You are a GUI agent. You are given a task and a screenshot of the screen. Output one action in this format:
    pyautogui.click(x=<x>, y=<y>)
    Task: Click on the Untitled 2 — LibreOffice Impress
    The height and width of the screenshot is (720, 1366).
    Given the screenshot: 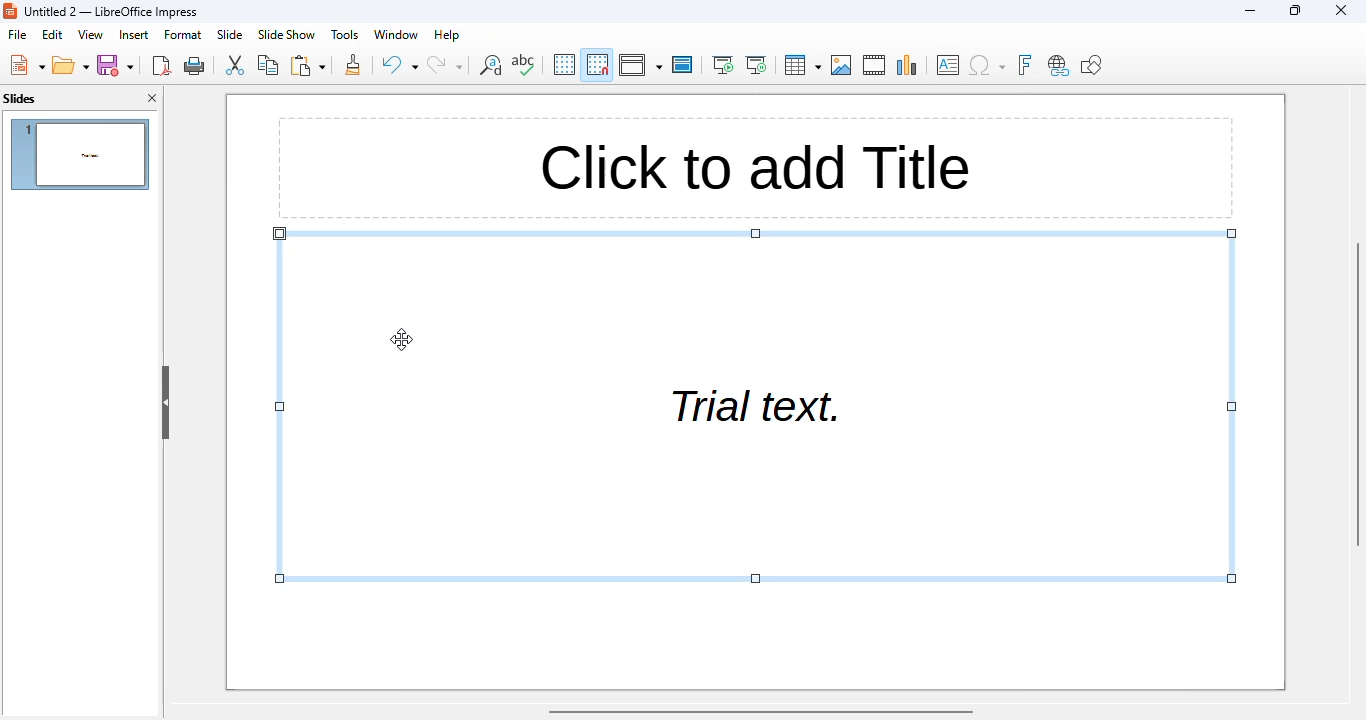 What is the action you would take?
    pyautogui.click(x=108, y=12)
    